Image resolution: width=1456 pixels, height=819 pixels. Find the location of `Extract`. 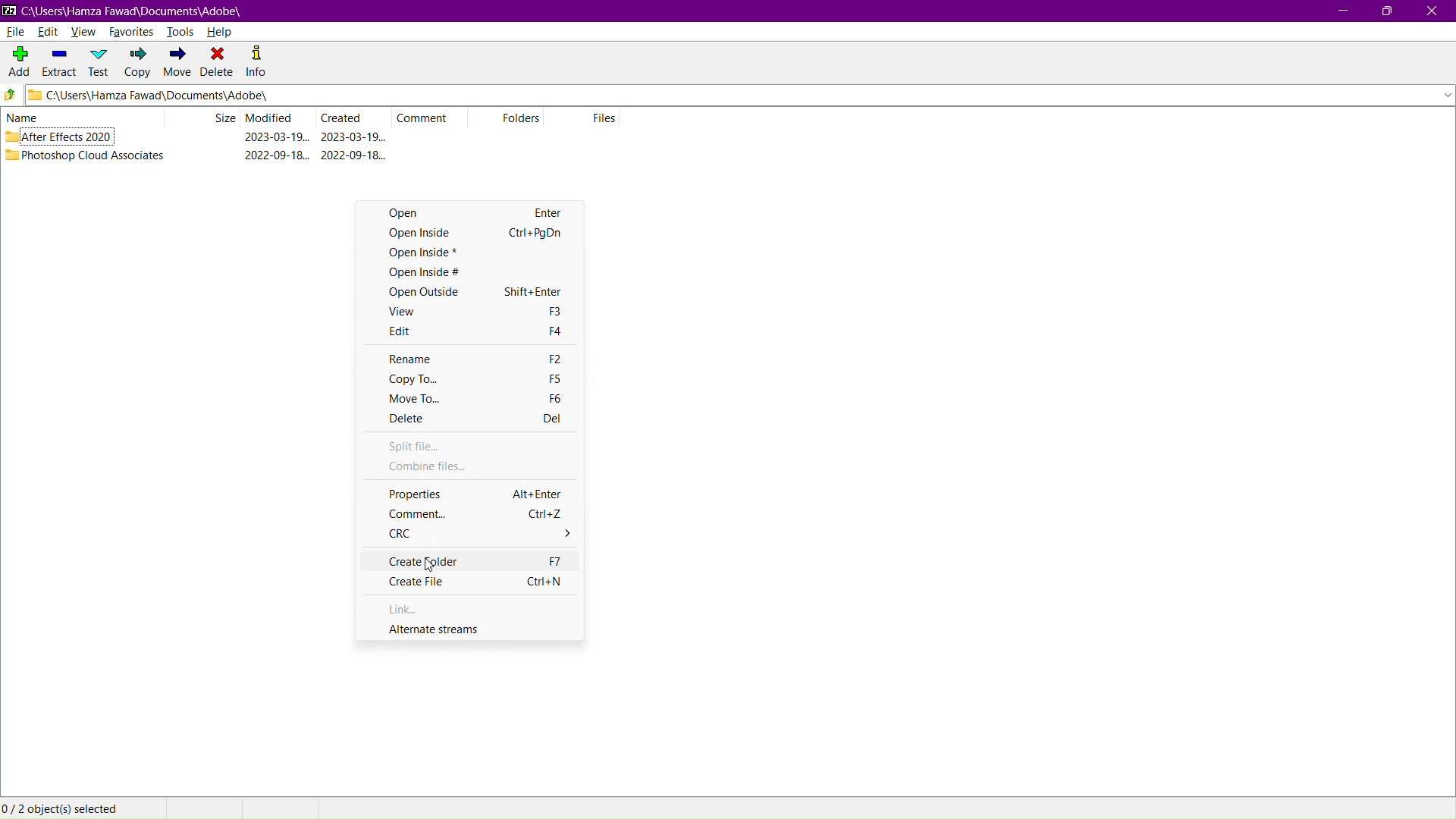

Extract is located at coordinates (58, 63).